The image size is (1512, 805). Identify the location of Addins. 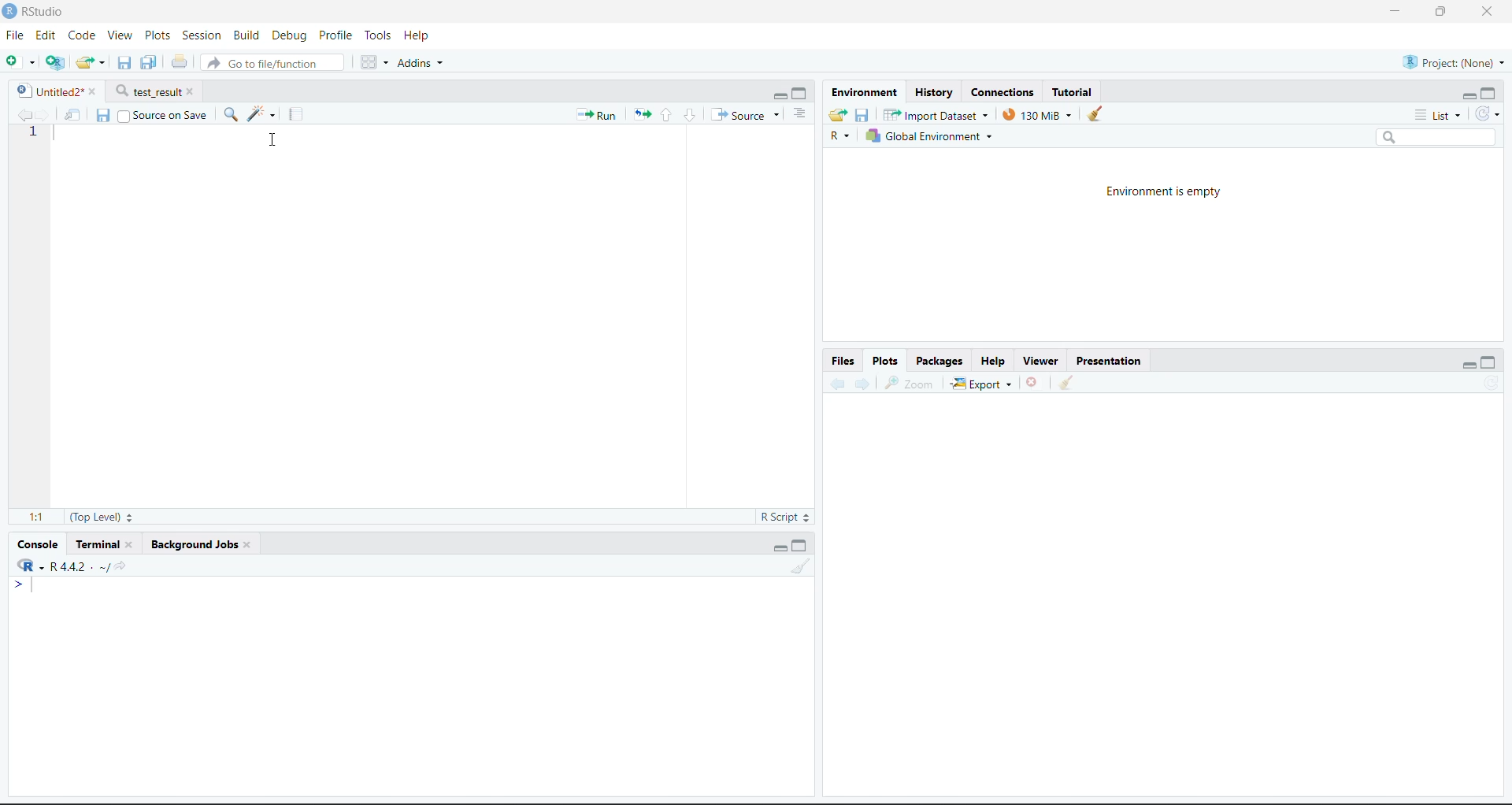
(422, 63).